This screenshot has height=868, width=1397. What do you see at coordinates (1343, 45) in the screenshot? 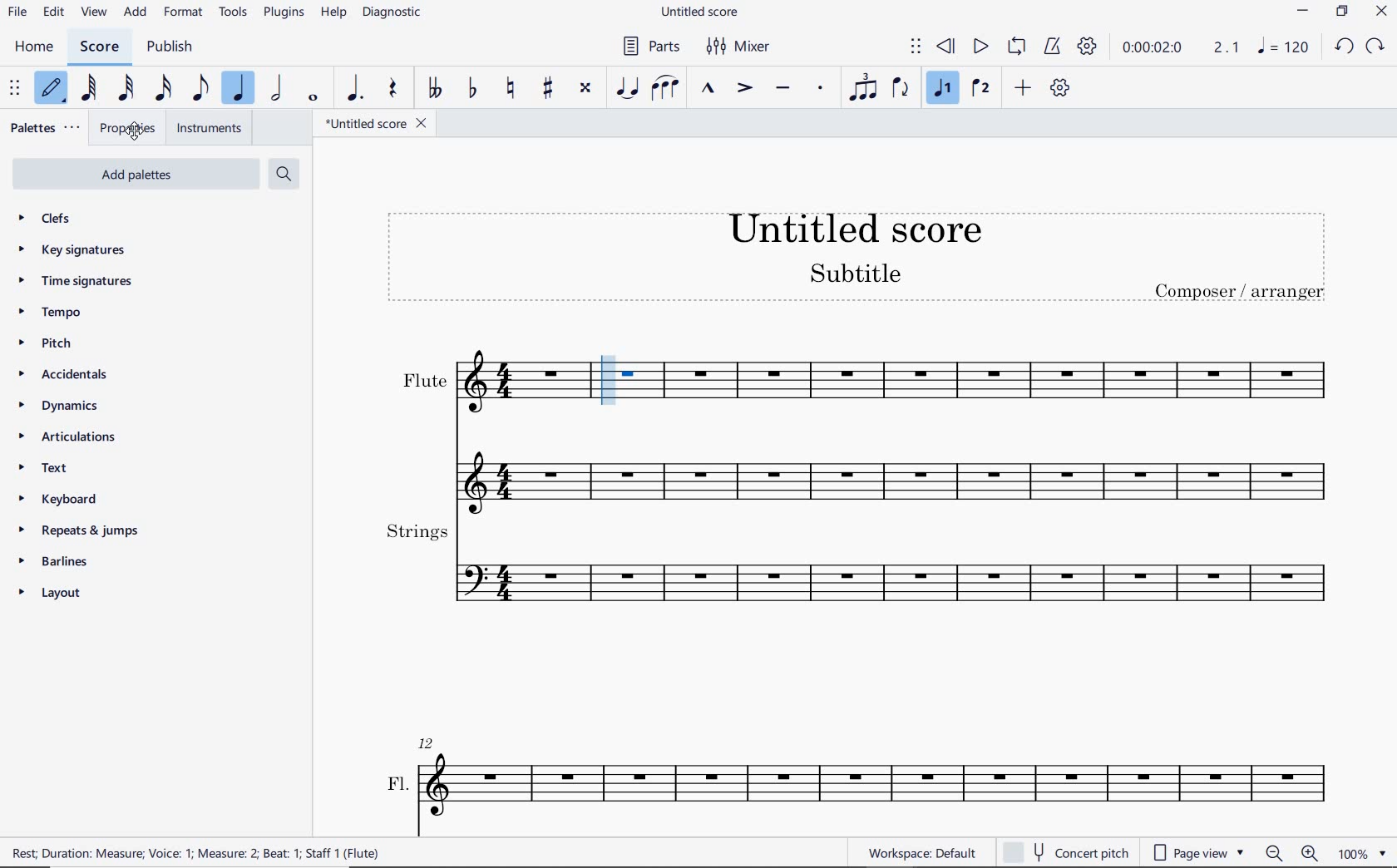
I see `undo` at bounding box center [1343, 45].